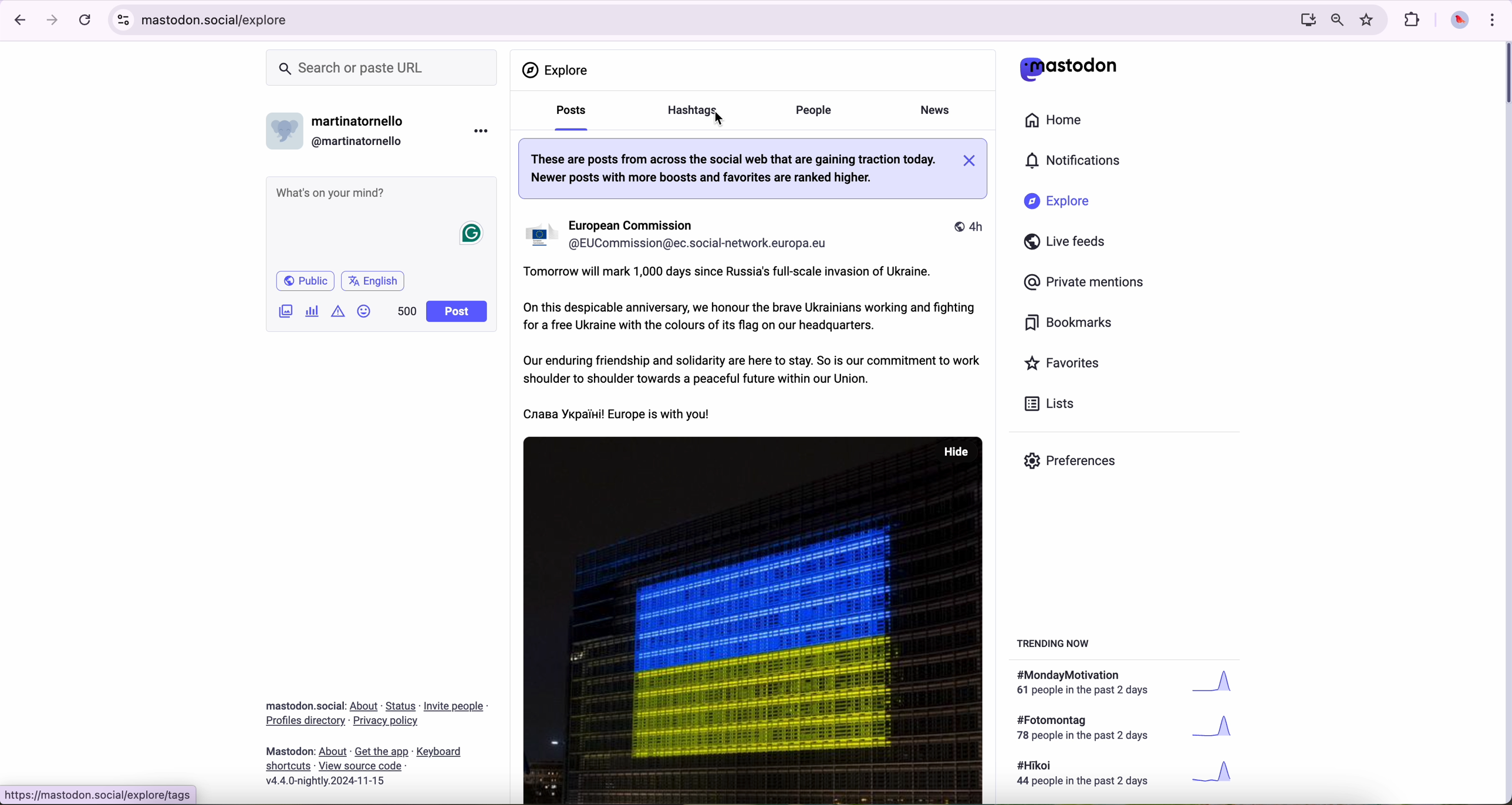 The image size is (1512, 805). Describe the element at coordinates (1089, 684) in the screenshot. I see `text` at that location.